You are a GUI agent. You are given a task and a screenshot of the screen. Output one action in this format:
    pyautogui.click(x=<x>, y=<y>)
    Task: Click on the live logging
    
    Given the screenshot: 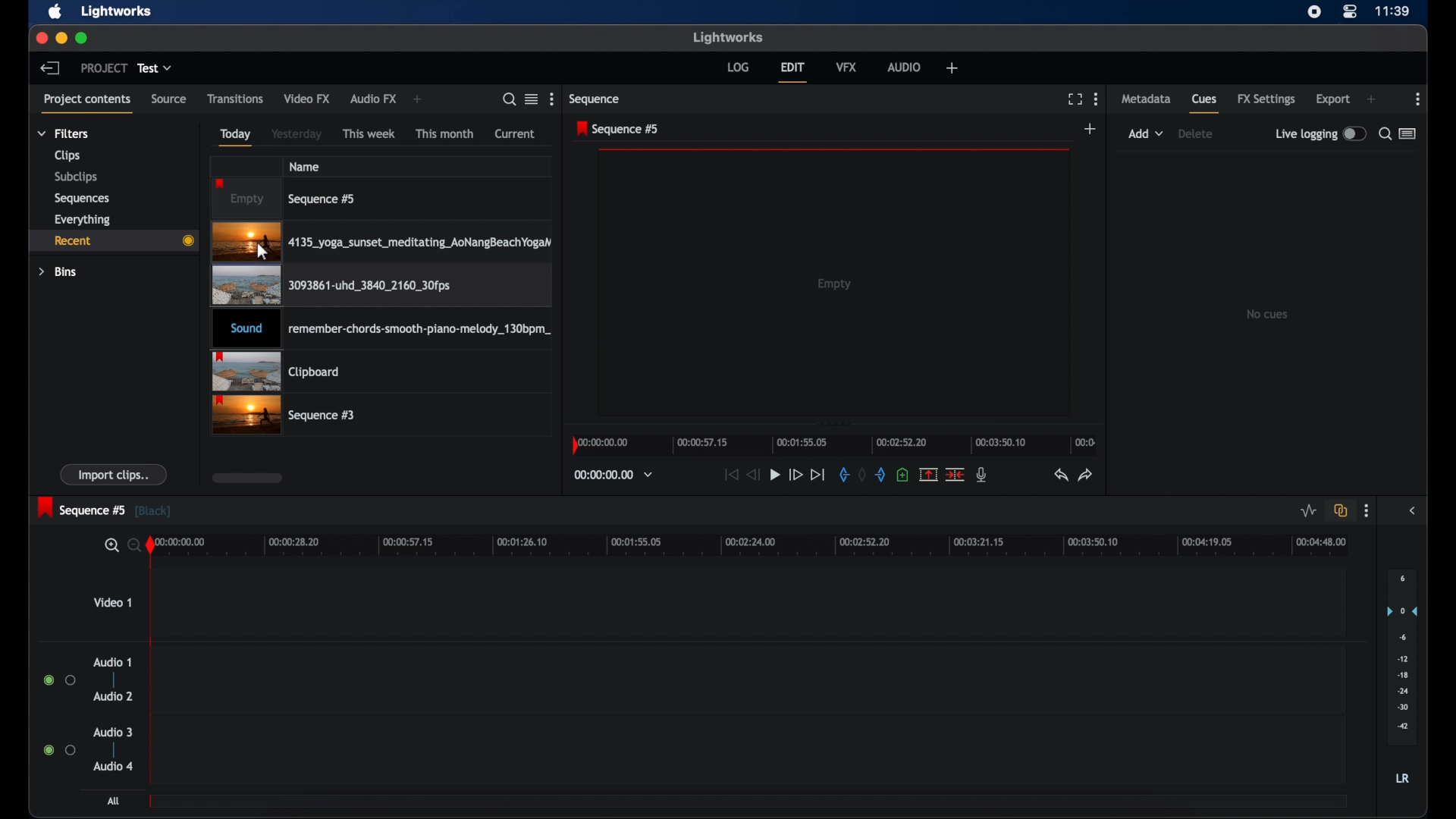 What is the action you would take?
    pyautogui.click(x=1321, y=133)
    